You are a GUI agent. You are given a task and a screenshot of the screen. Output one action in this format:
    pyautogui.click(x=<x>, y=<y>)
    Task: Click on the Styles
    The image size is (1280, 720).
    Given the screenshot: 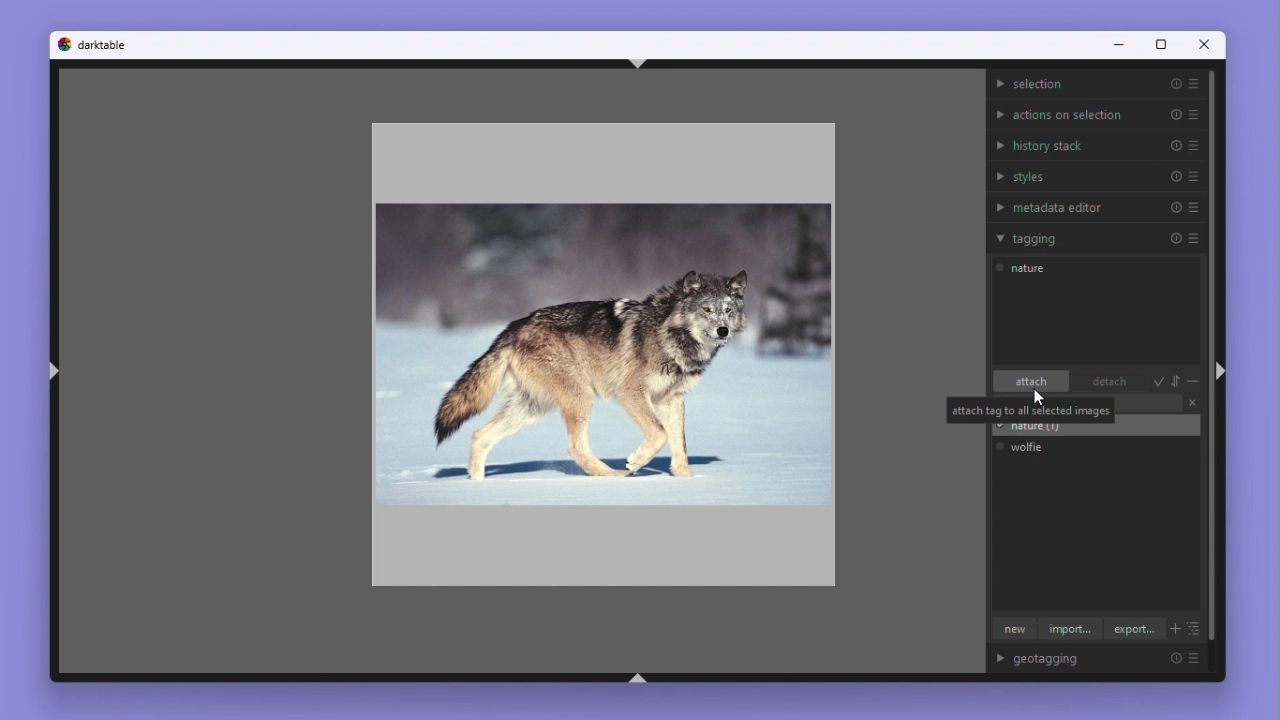 What is the action you would take?
    pyautogui.click(x=1098, y=176)
    